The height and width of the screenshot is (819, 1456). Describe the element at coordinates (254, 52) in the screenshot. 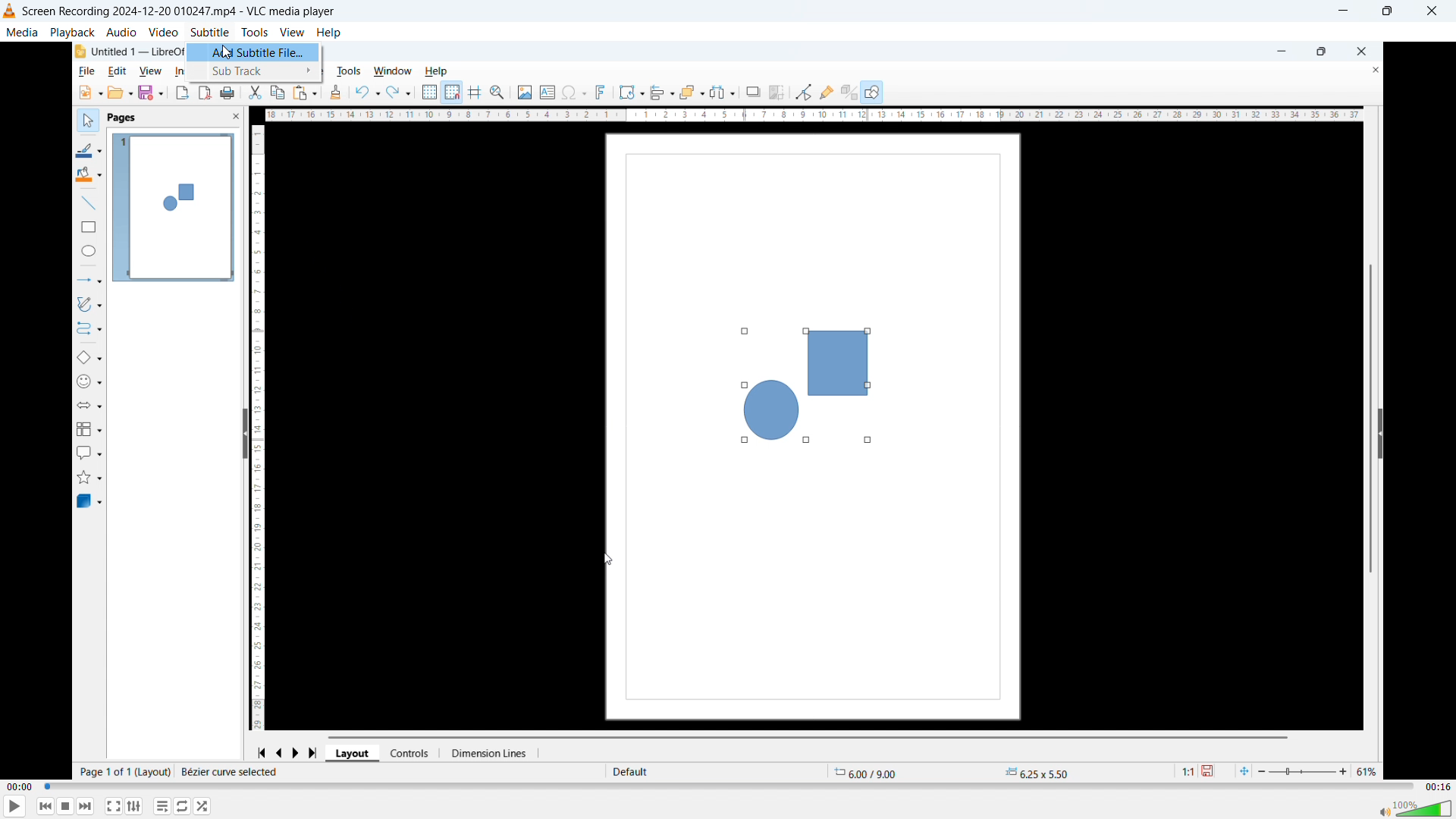

I see `Add subtitle file ` at that location.